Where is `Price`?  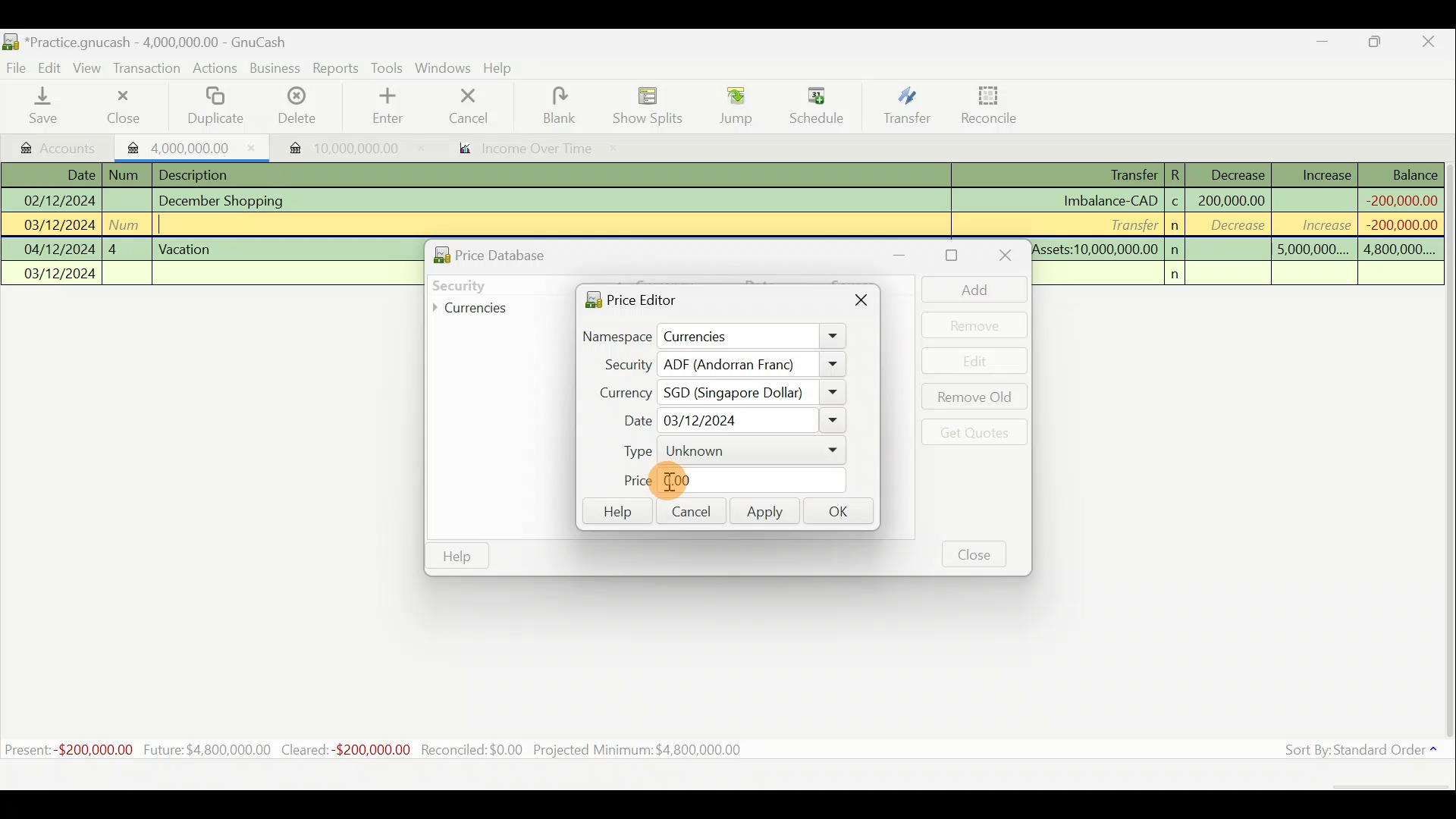 Price is located at coordinates (724, 481).